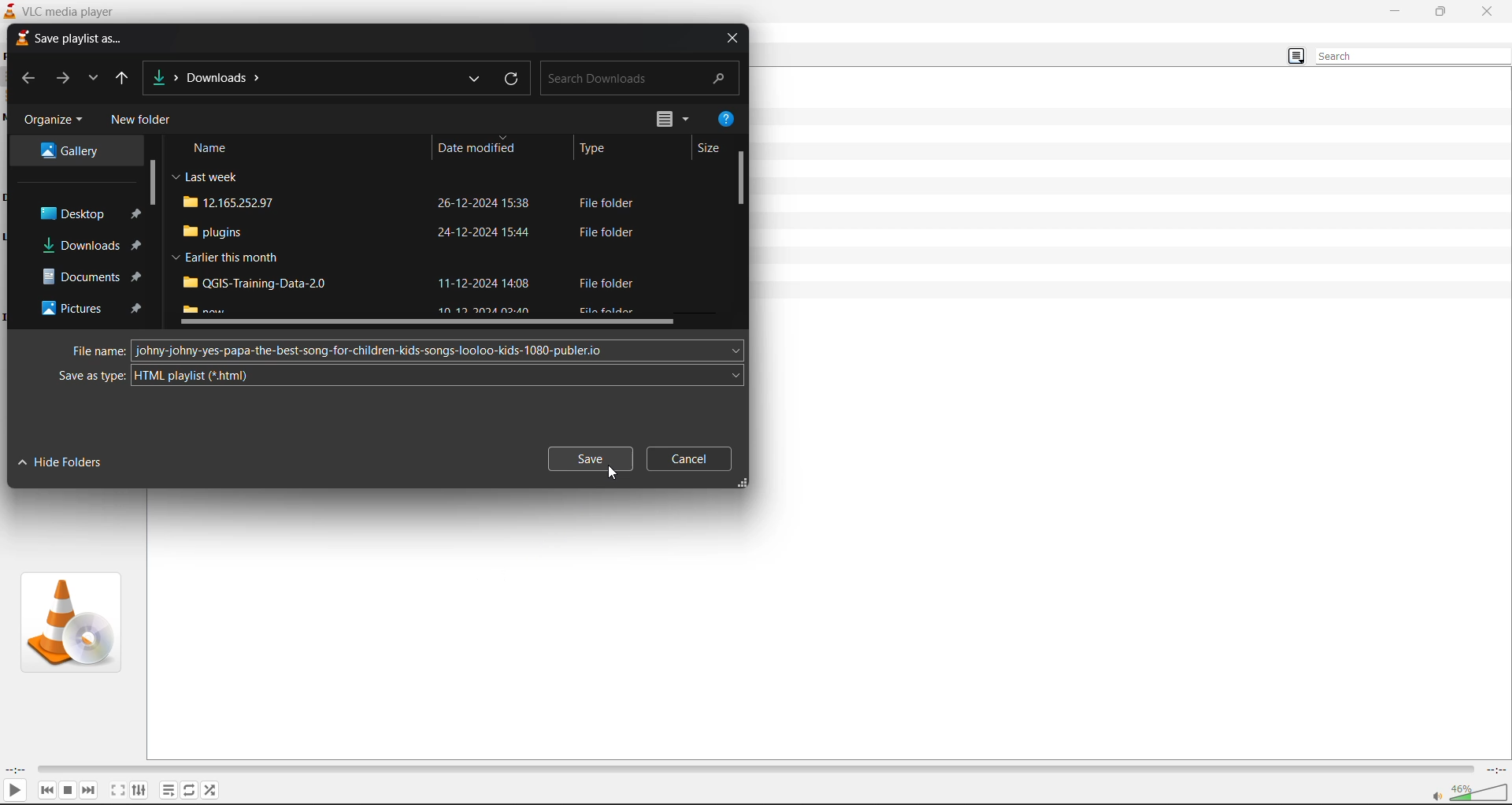 The height and width of the screenshot is (805, 1512). Describe the element at coordinates (1469, 792) in the screenshot. I see `volume` at that location.